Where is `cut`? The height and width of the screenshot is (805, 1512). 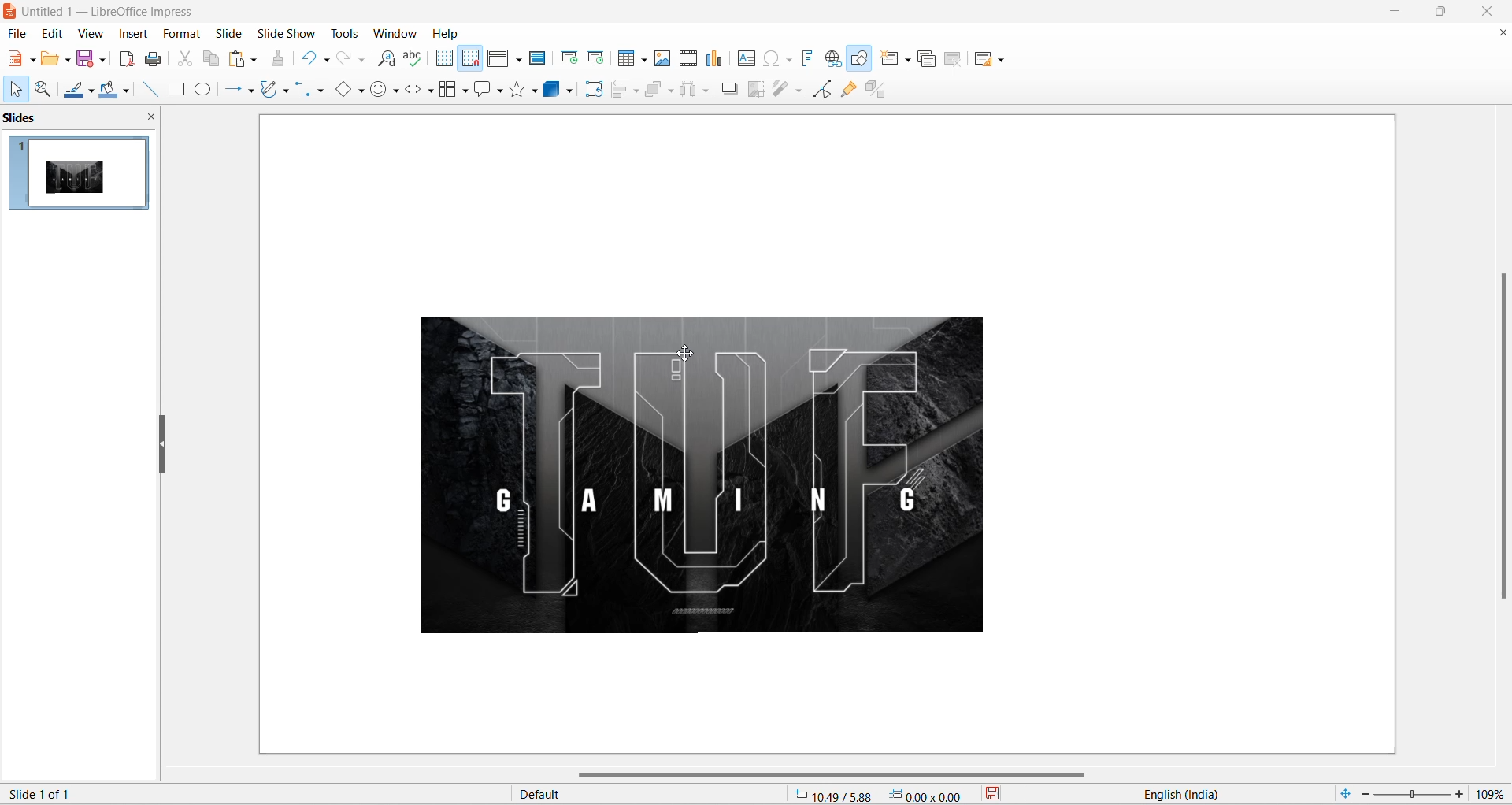 cut is located at coordinates (187, 58).